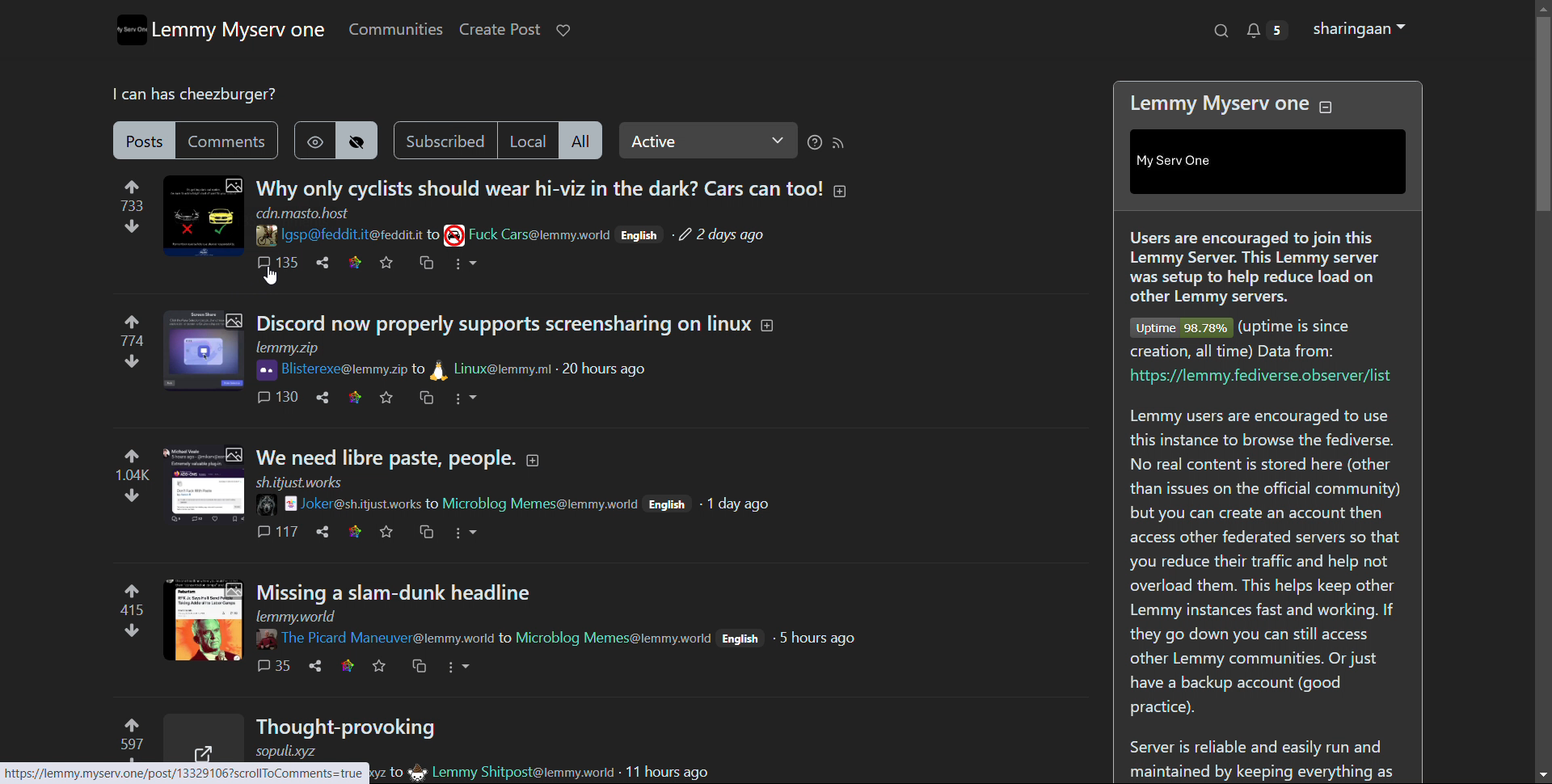 This screenshot has height=784, width=1552. Describe the element at coordinates (1542, 114) in the screenshot. I see `scrollbar` at that location.